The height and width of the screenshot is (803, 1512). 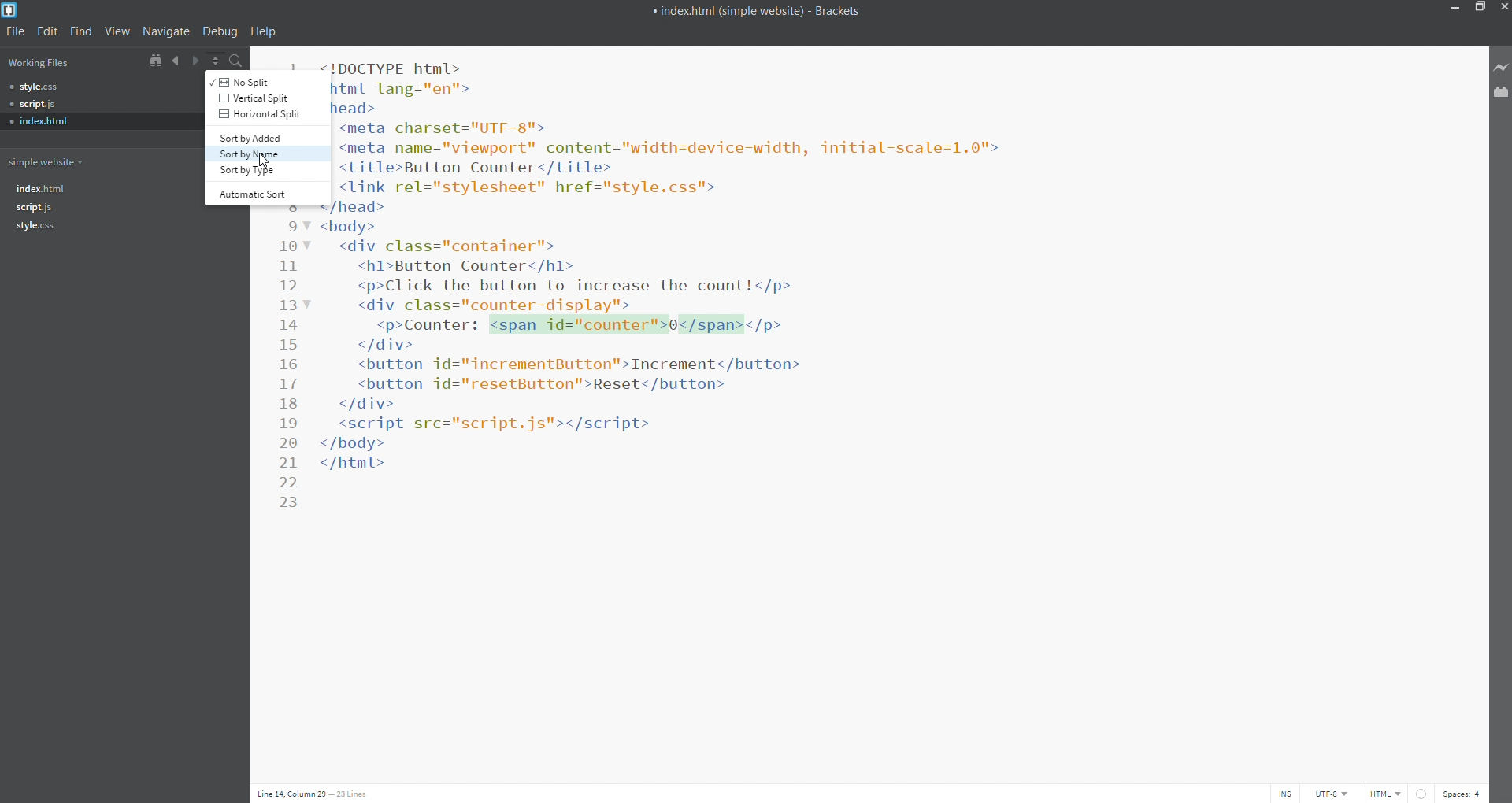 What do you see at coordinates (1284, 792) in the screenshot?
I see `toggle cursor` at bounding box center [1284, 792].